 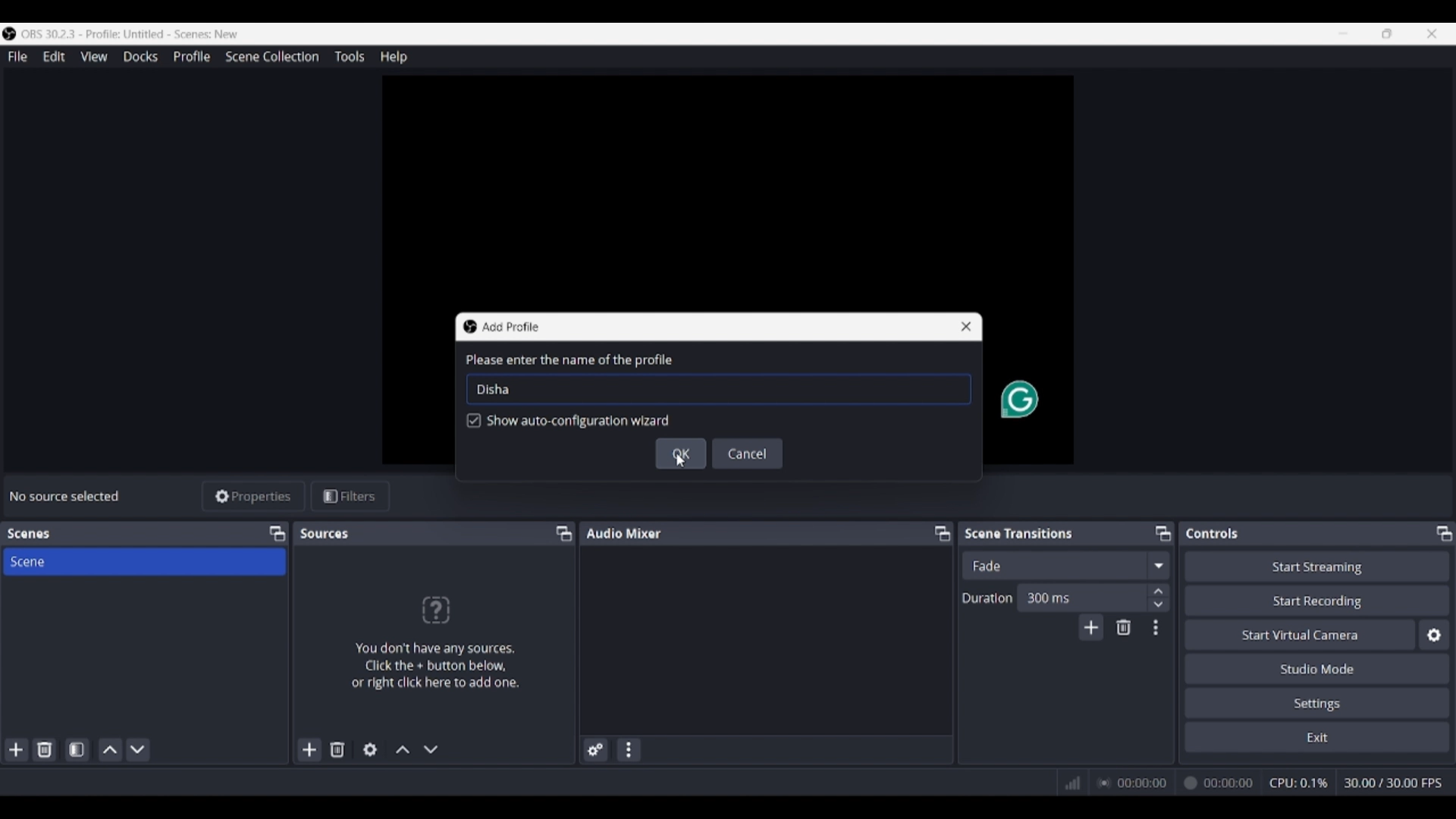 I want to click on Add scene, so click(x=17, y=750).